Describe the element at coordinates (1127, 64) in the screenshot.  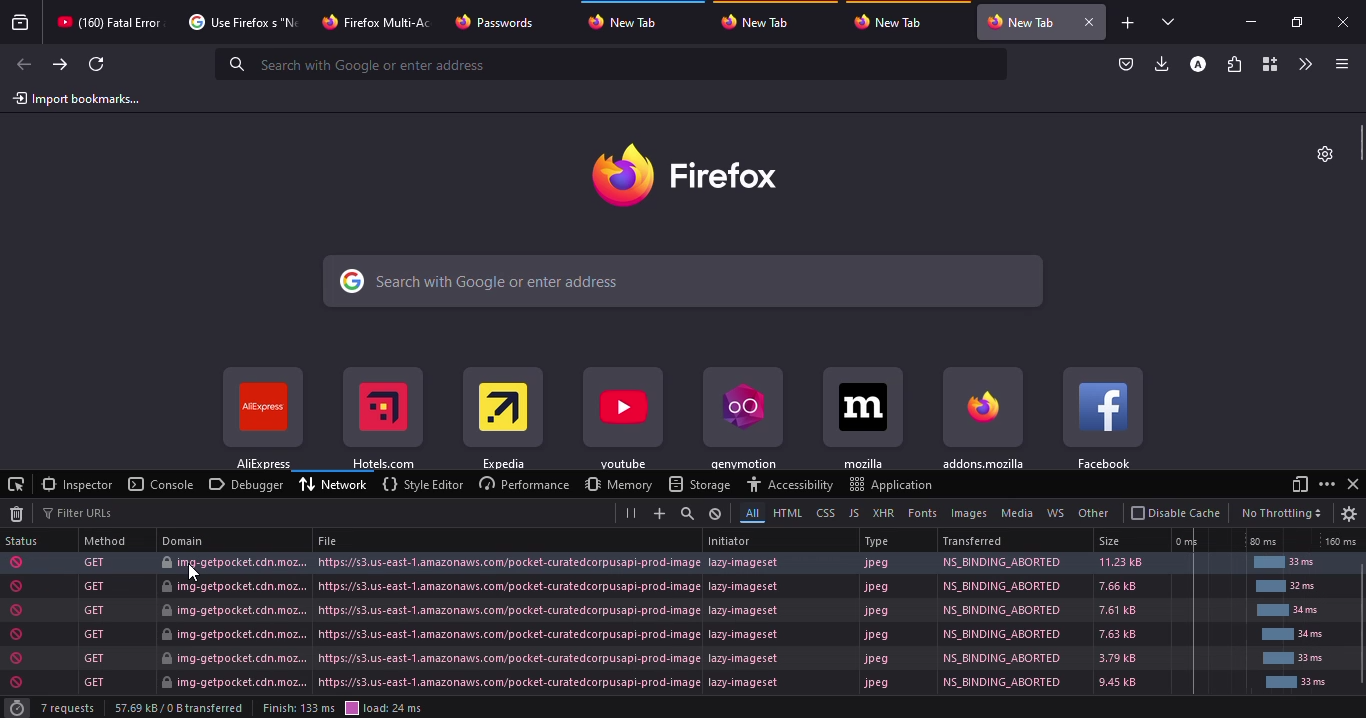
I see `verified` at that location.